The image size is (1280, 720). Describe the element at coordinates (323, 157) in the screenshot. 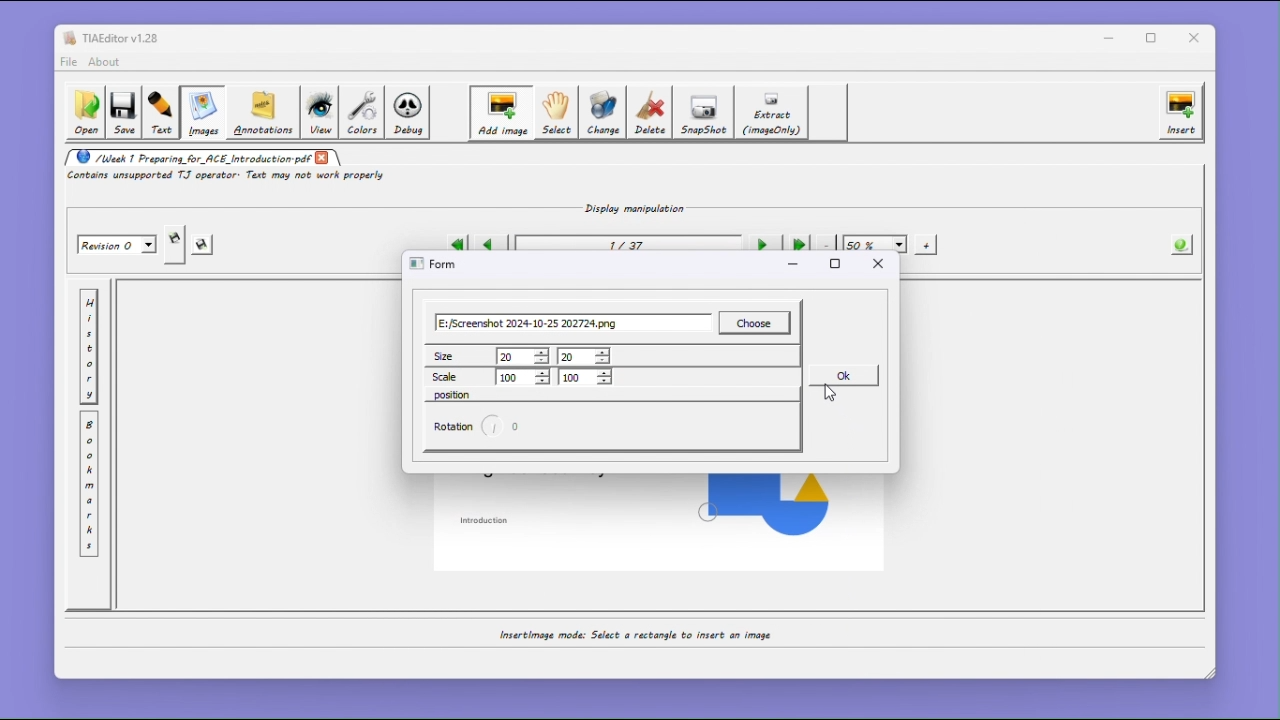

I see `close` at that location.